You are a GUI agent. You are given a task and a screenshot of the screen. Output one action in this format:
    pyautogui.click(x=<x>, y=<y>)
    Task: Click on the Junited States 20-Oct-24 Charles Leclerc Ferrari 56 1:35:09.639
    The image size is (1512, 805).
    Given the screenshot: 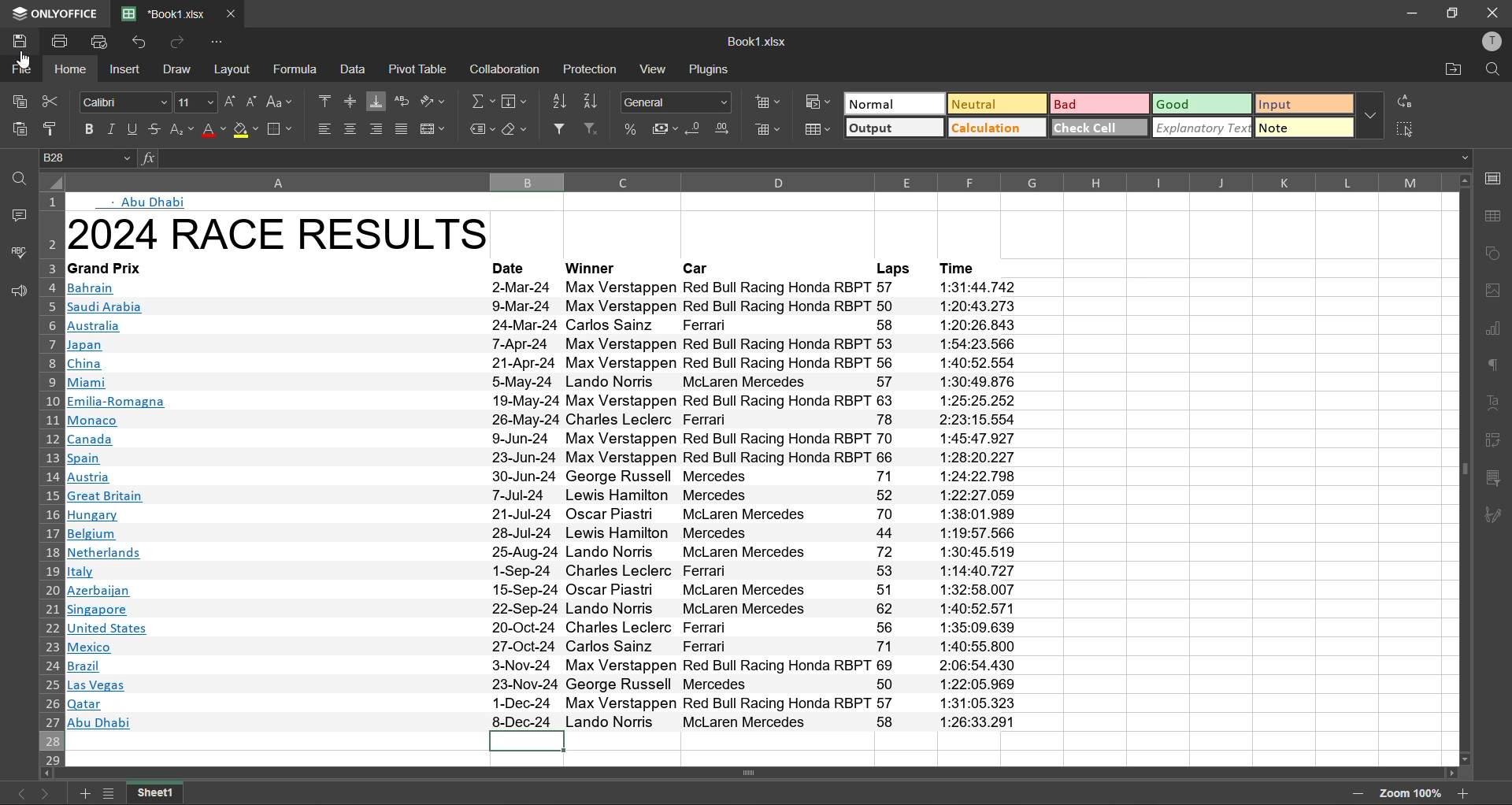 What is the action you would take?
    pyautogui.click(x=544, y=629)
    